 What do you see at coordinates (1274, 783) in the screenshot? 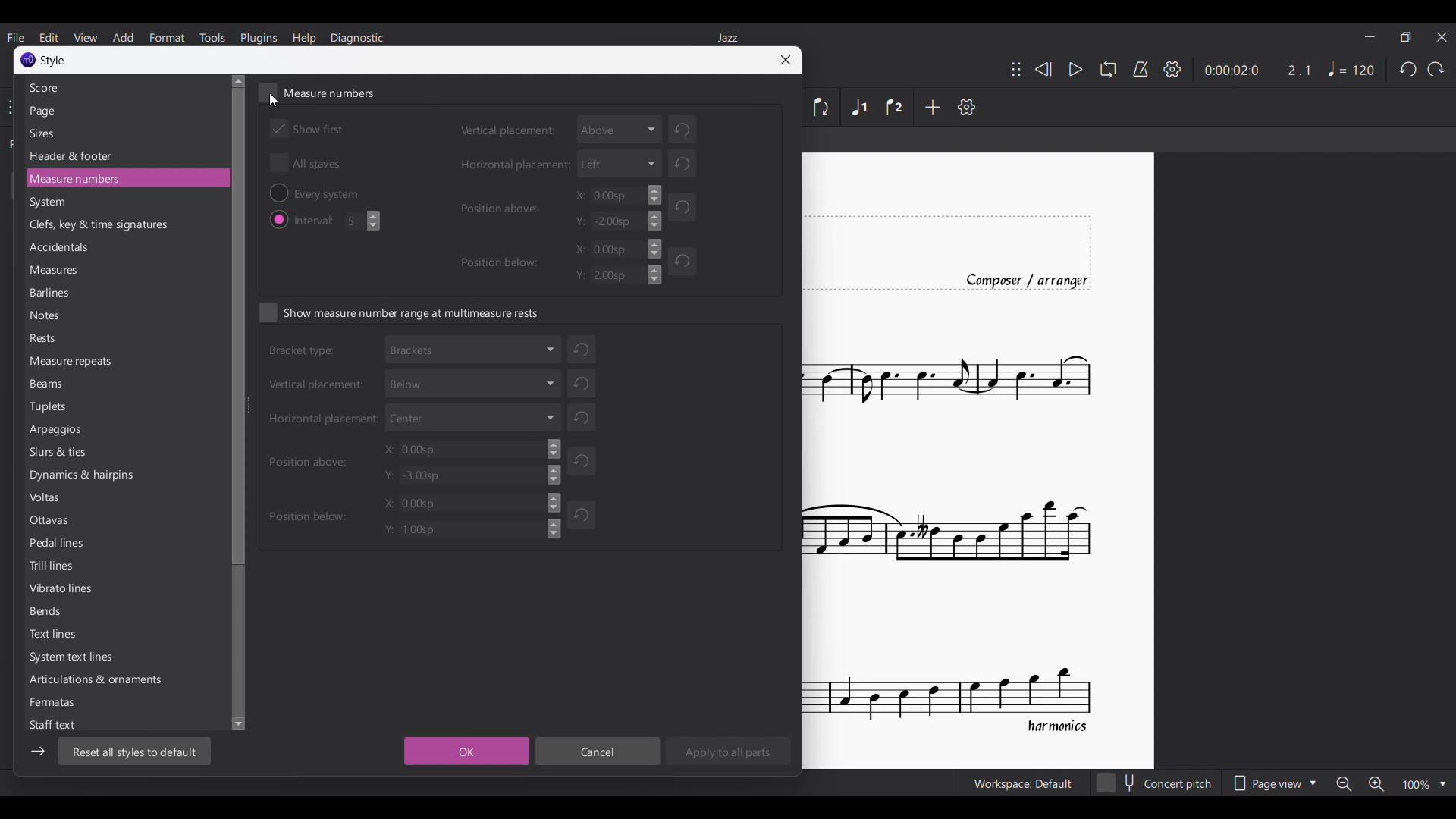
I see `Page view options` at bounding box center [1274, 783].